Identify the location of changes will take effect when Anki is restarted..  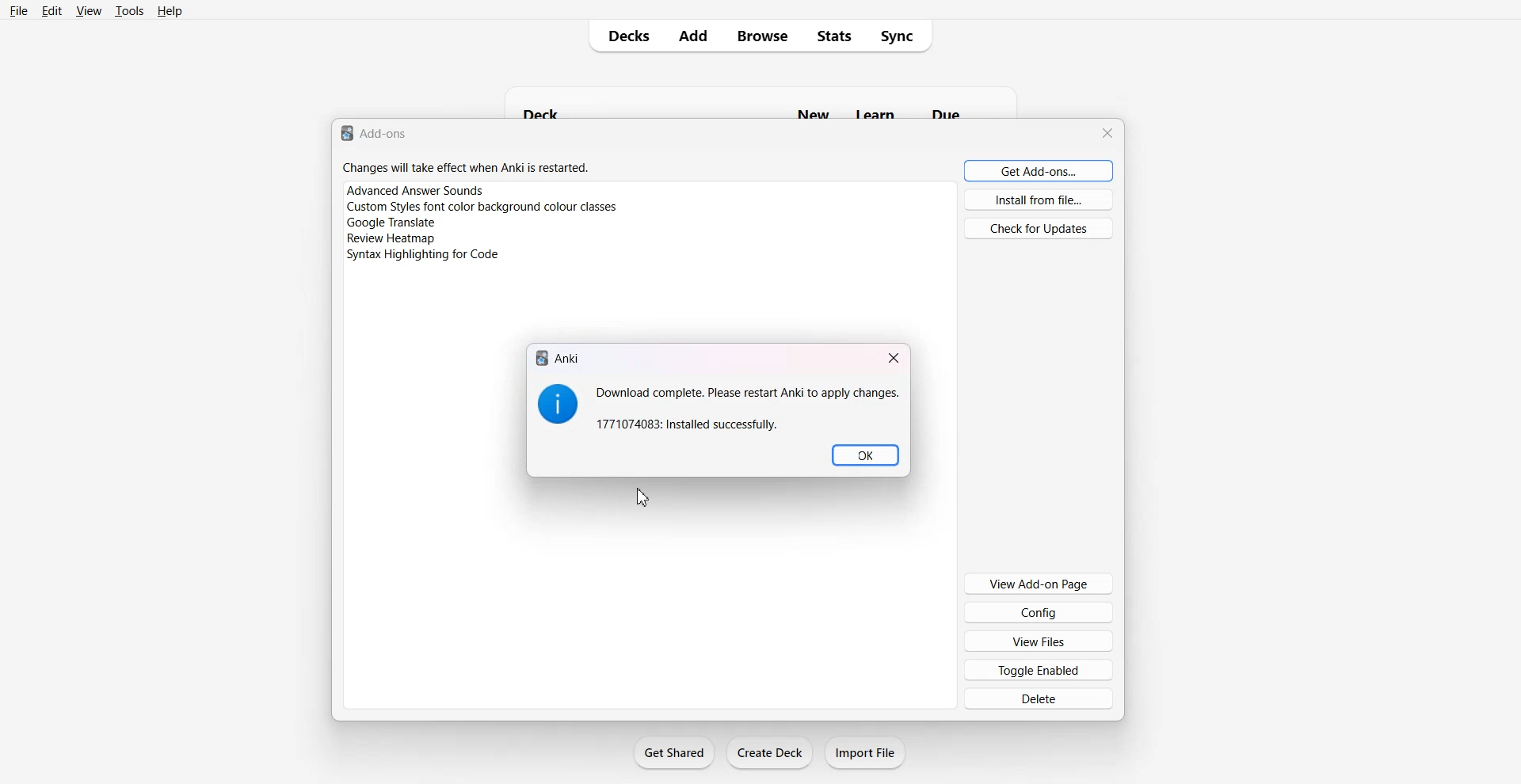
(466, 167).